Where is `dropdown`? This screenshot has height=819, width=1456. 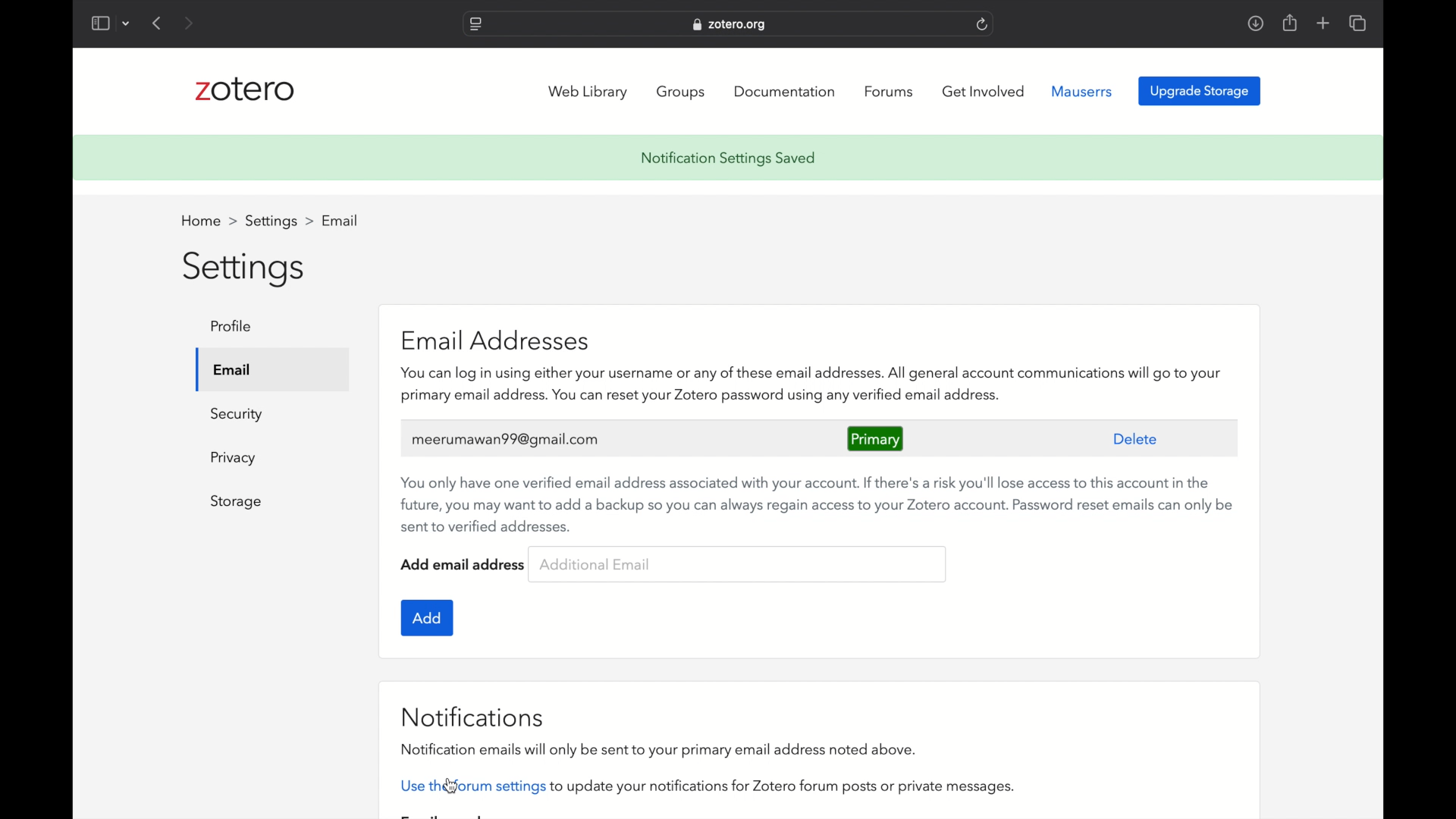
dropdown is located at coordinates (126, 25).